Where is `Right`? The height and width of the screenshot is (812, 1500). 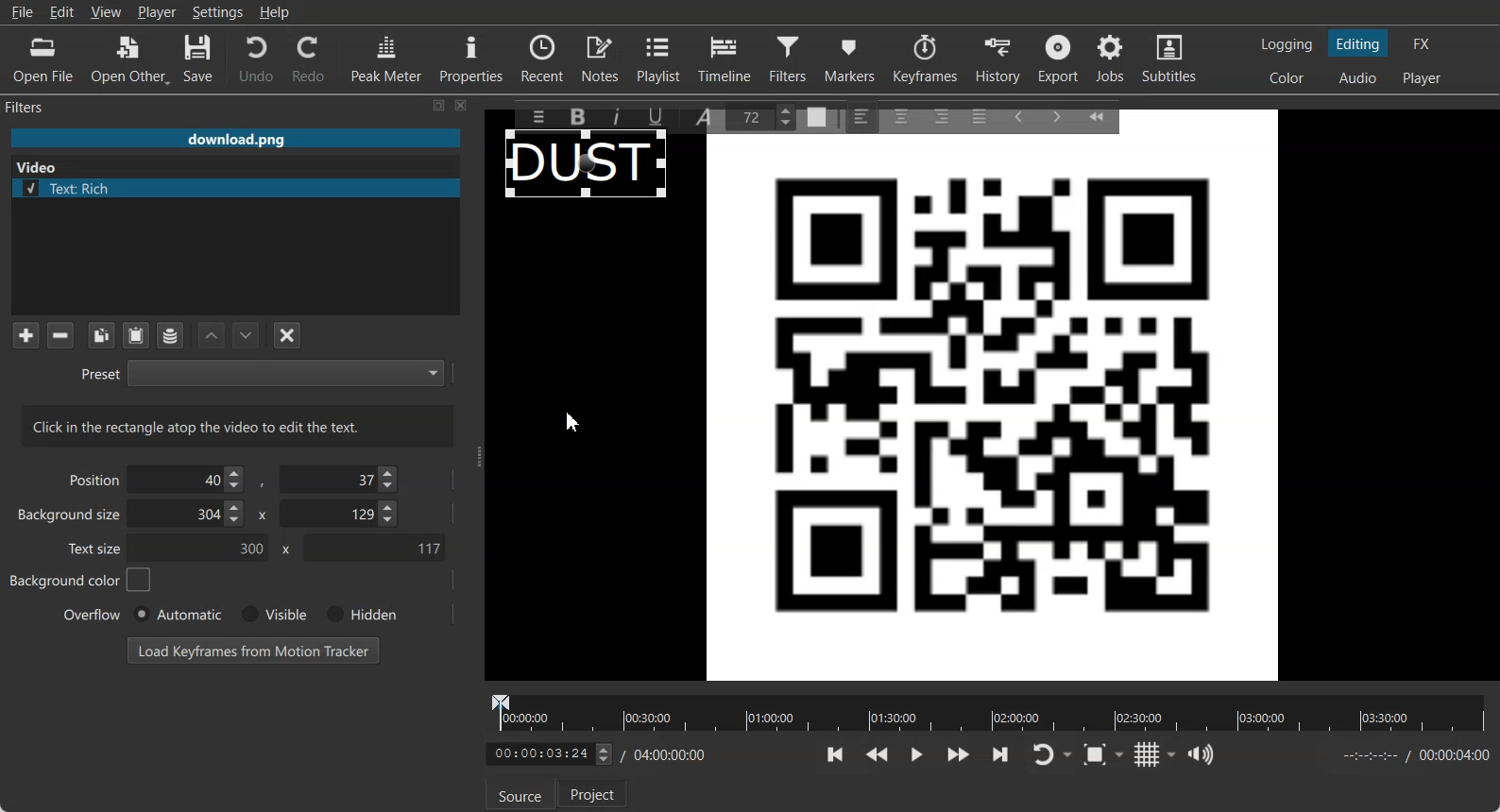
Right is located at coordinates (940, 115).